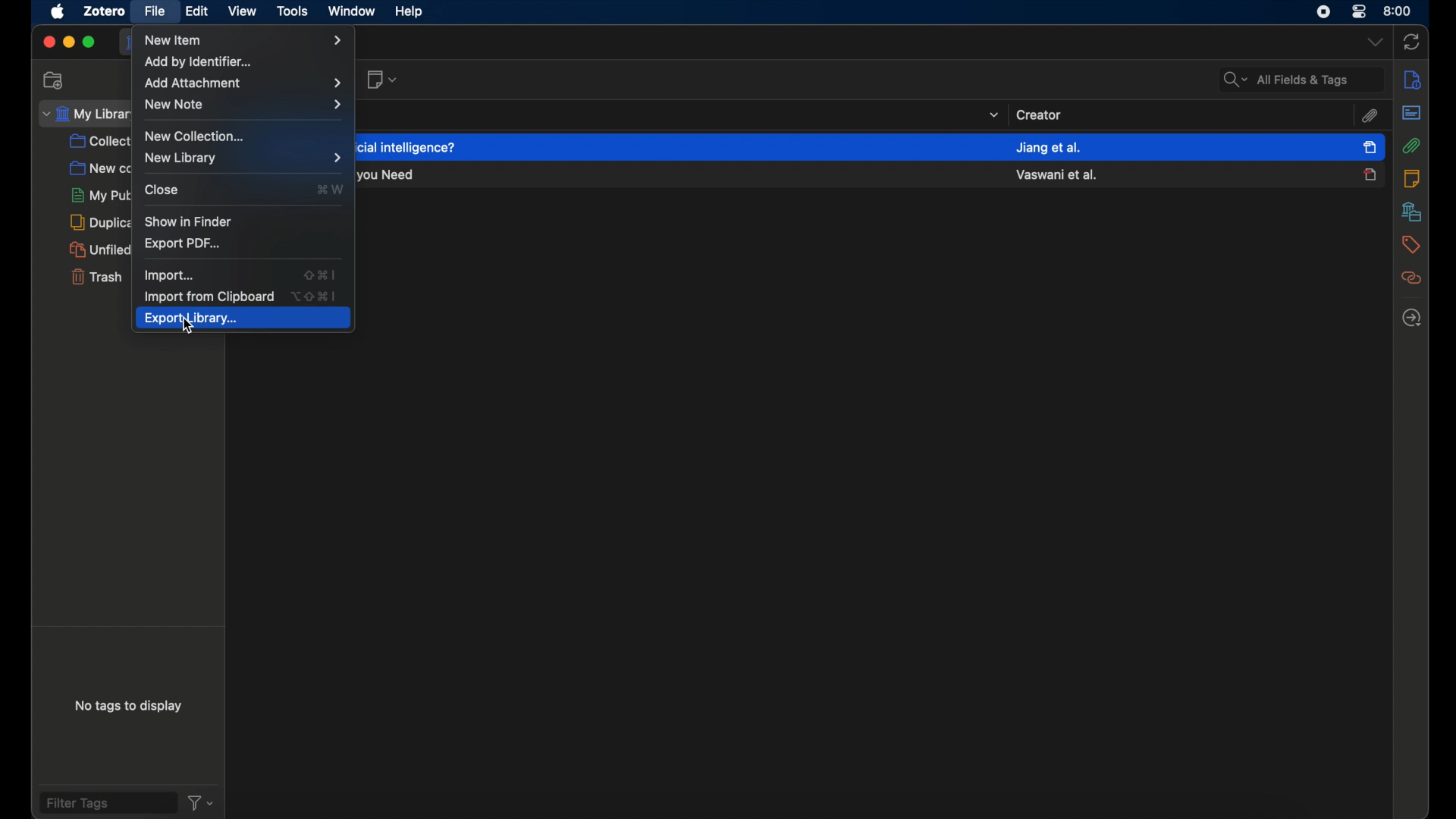 Image resolution: width=1456 pixels, height=819 pixels. I want to click on trash, so click(96, 276).